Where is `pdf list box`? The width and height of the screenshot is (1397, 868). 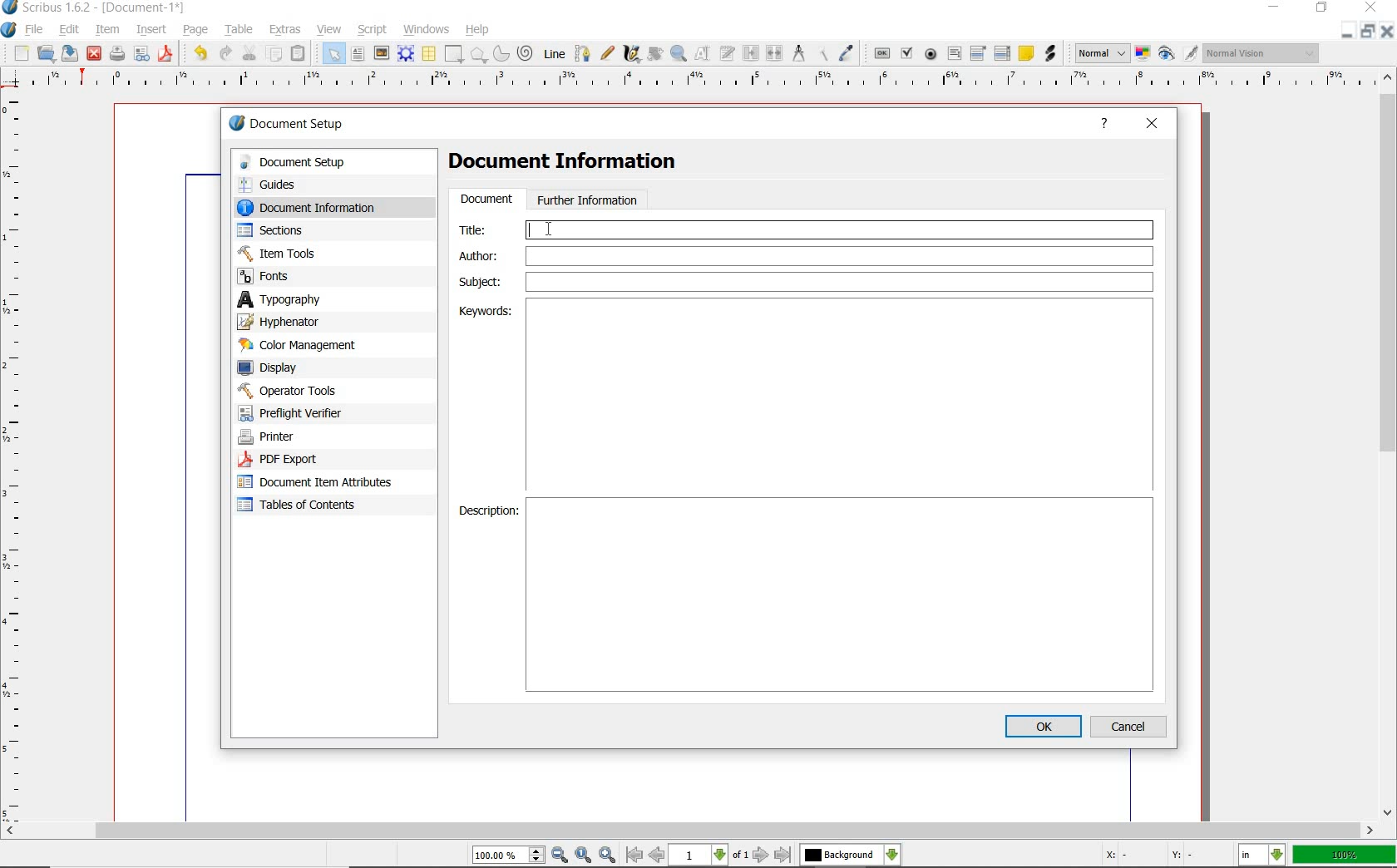 pdf list box is located at coordinates (1001, 53).